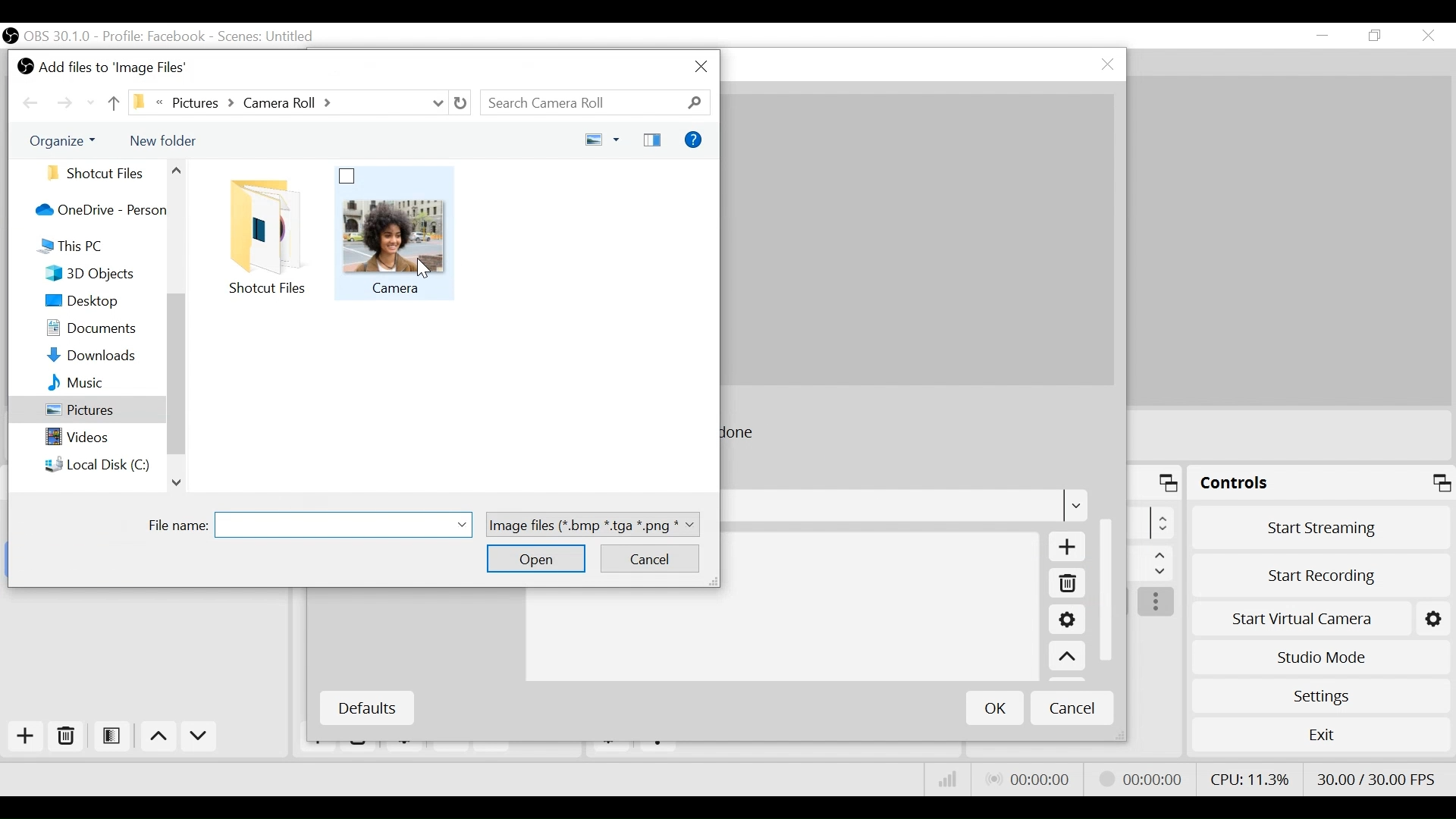 The image size is (1456, 819). What do you see at coordinates (461, 104) in the screenshot?
I see `Refresh` at bounding box center [461, 104].